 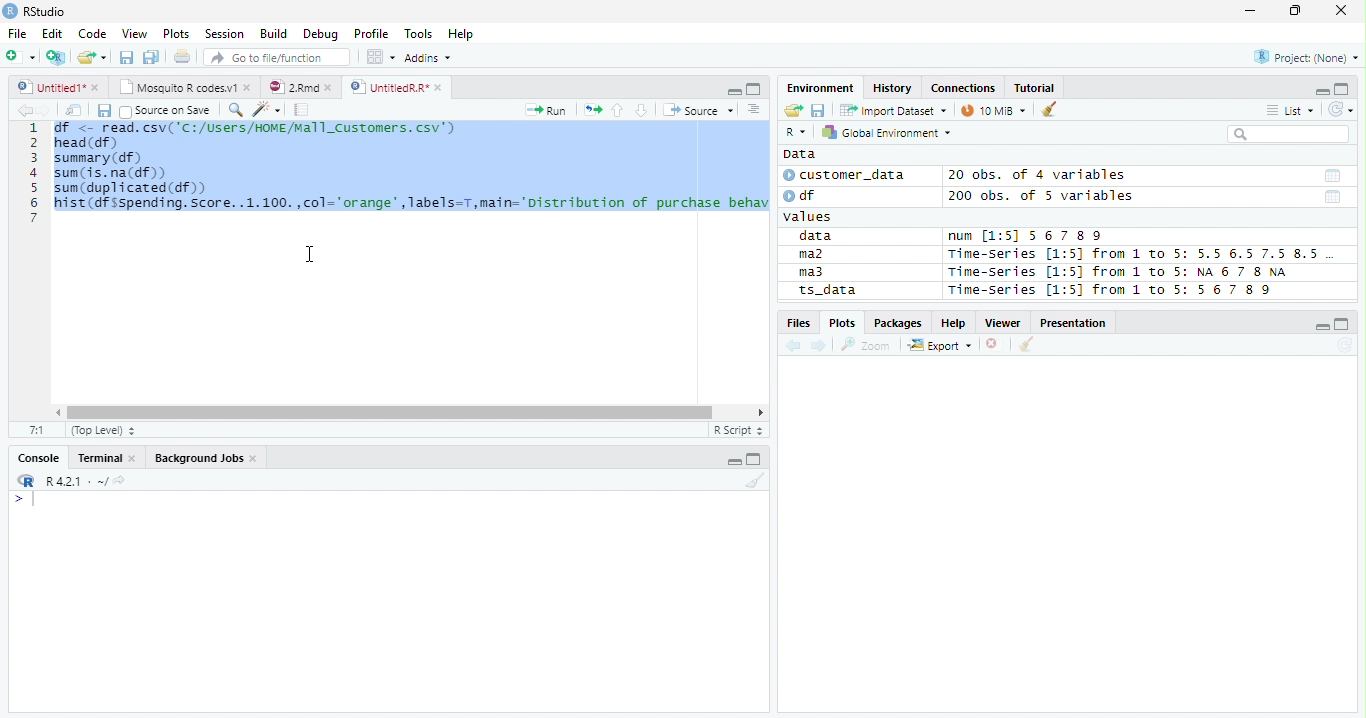 I want to click on Row Number, so click(x=33, y=175).